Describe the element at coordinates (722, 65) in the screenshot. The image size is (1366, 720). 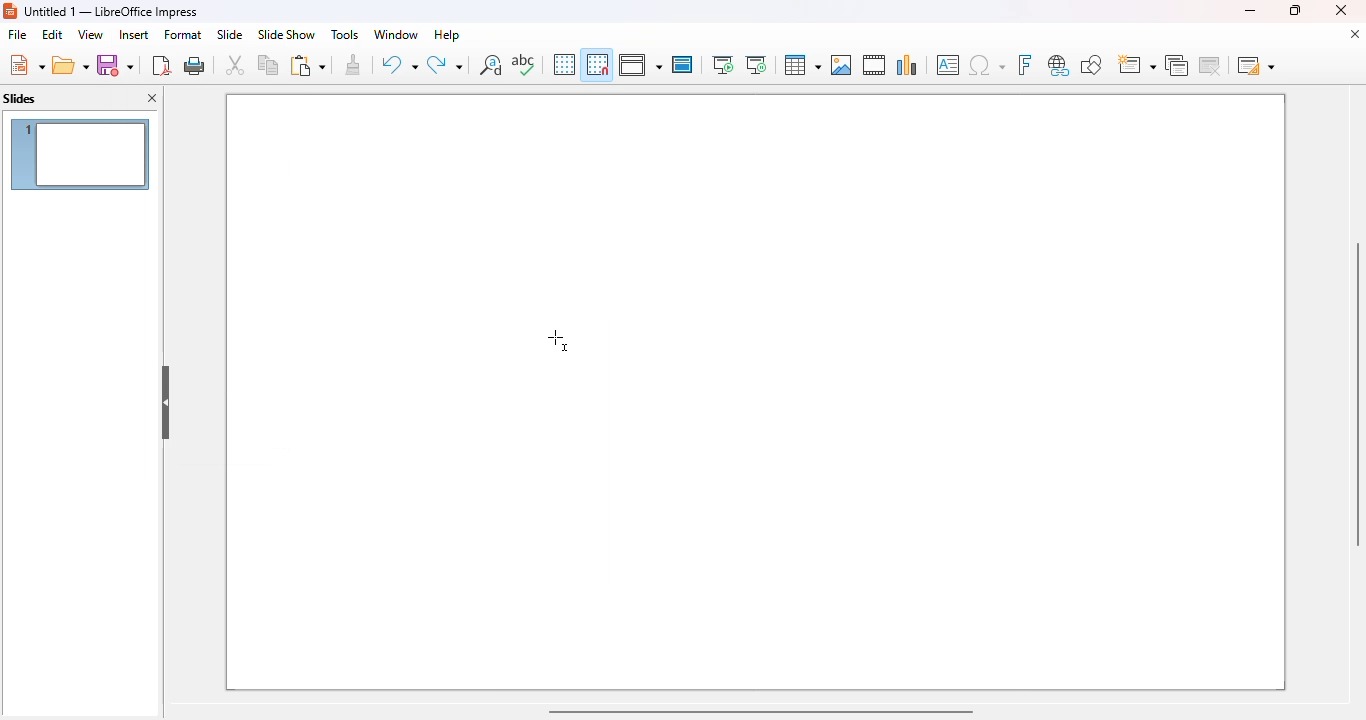
I see `start from first slide` at that location.